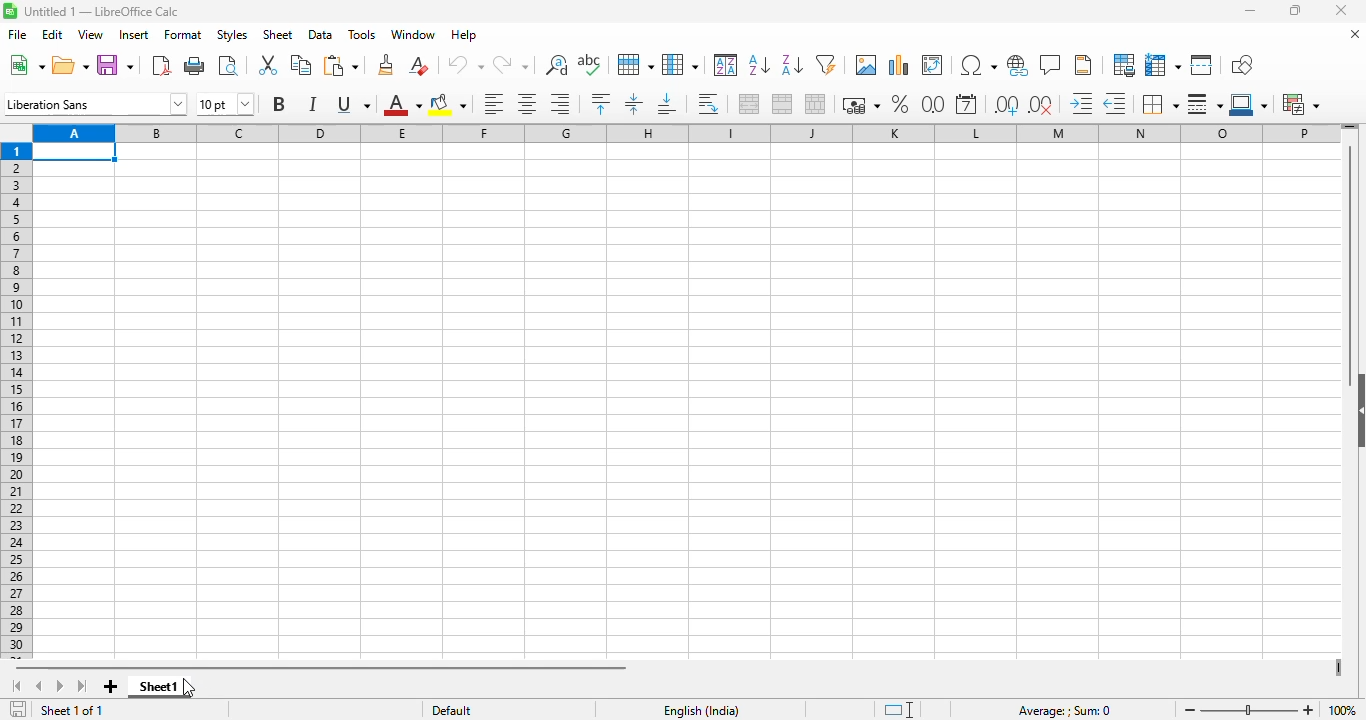 This screenshot has height=720, width=1366. What do you see at coordinates (323, 668) in the screenshot?
I see `horizontal scroll bar` at bounding box center [323, 668].